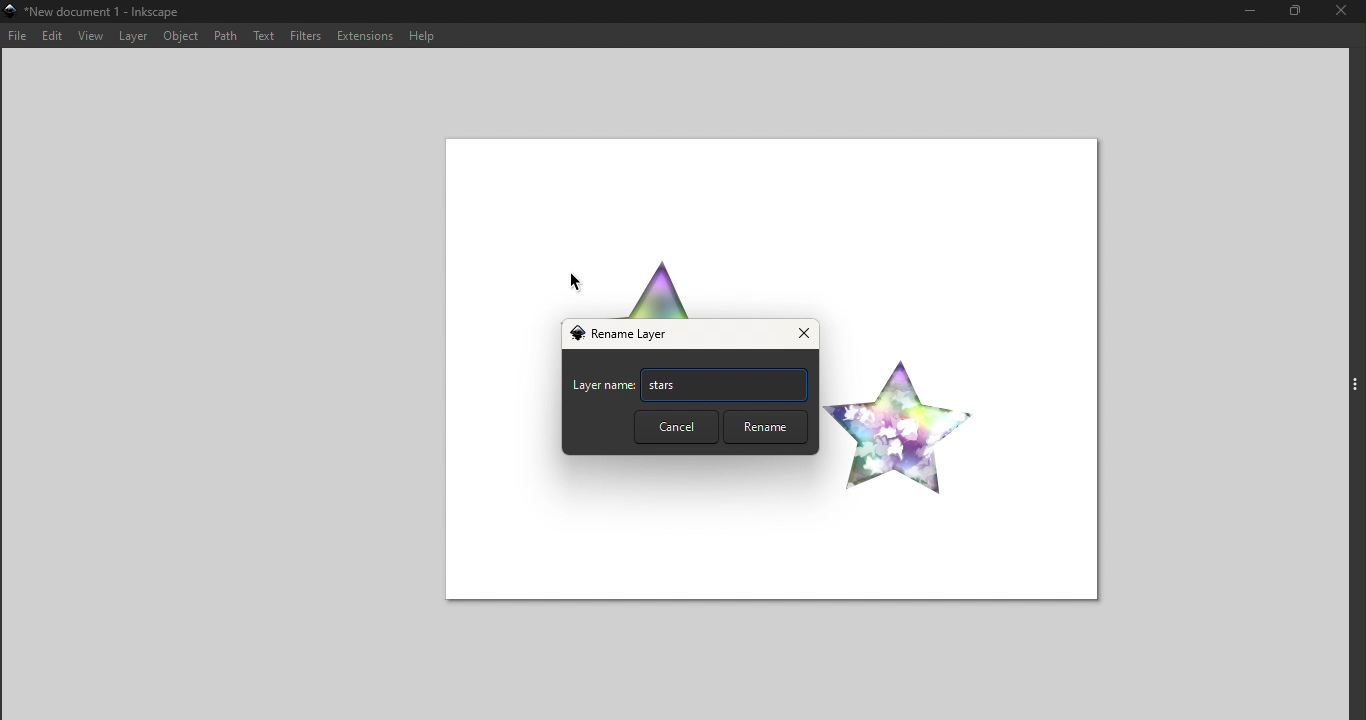 The image size is (1366, 720). What do you see at coordinates (1249, 12) in the screenshot?
I see `minimize` at bounding box center [1249, 12].